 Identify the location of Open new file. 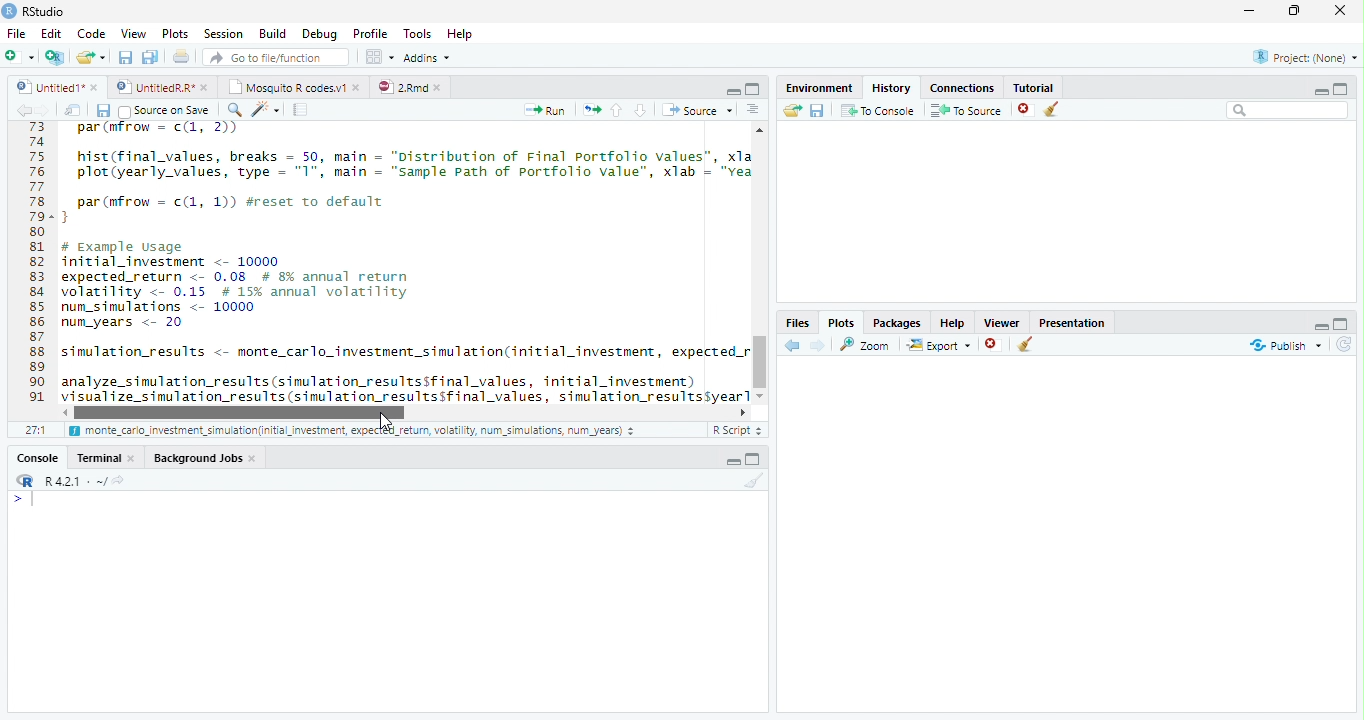
(19, 56).